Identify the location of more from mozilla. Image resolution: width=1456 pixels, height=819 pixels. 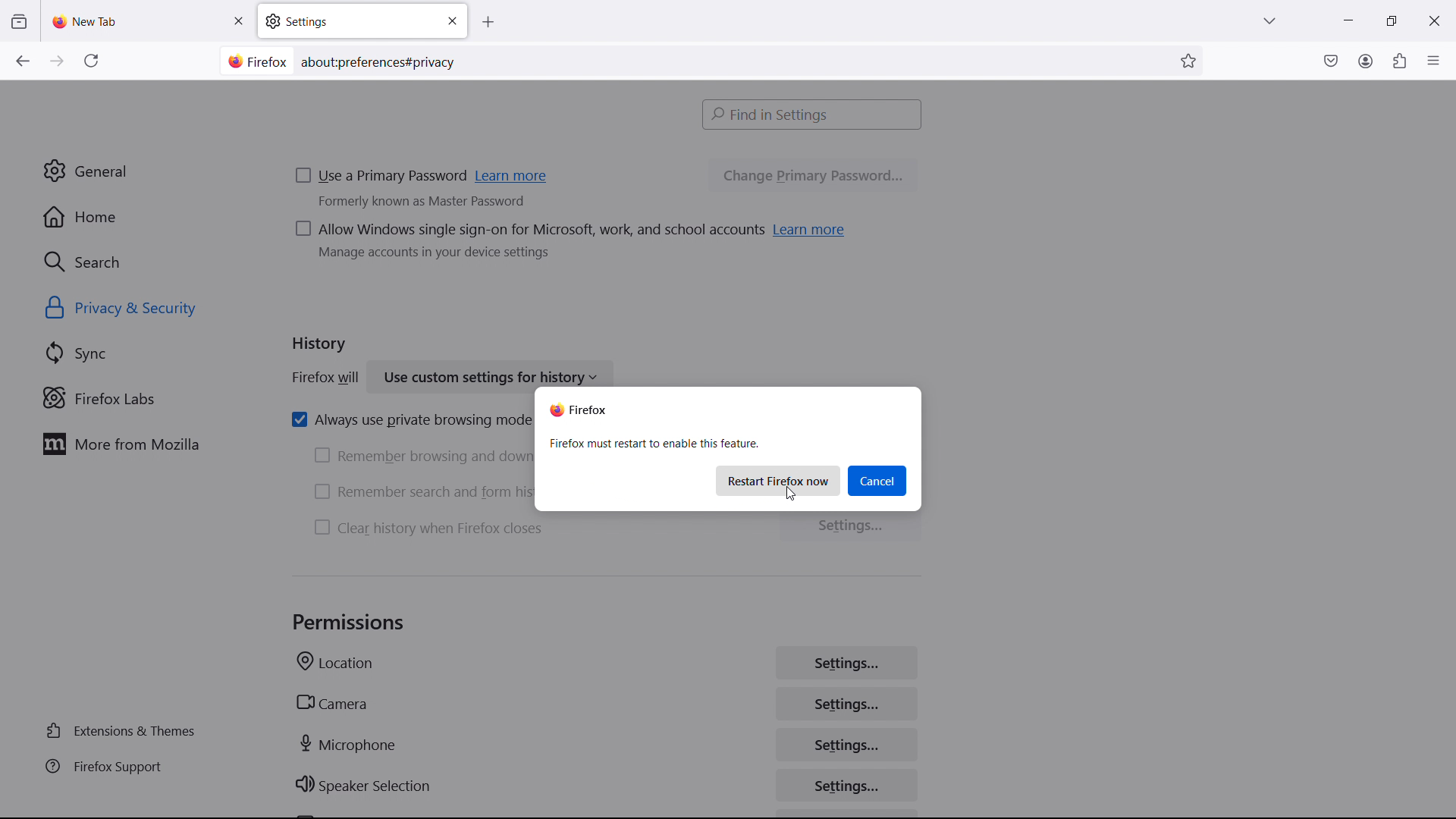
(145, 444).